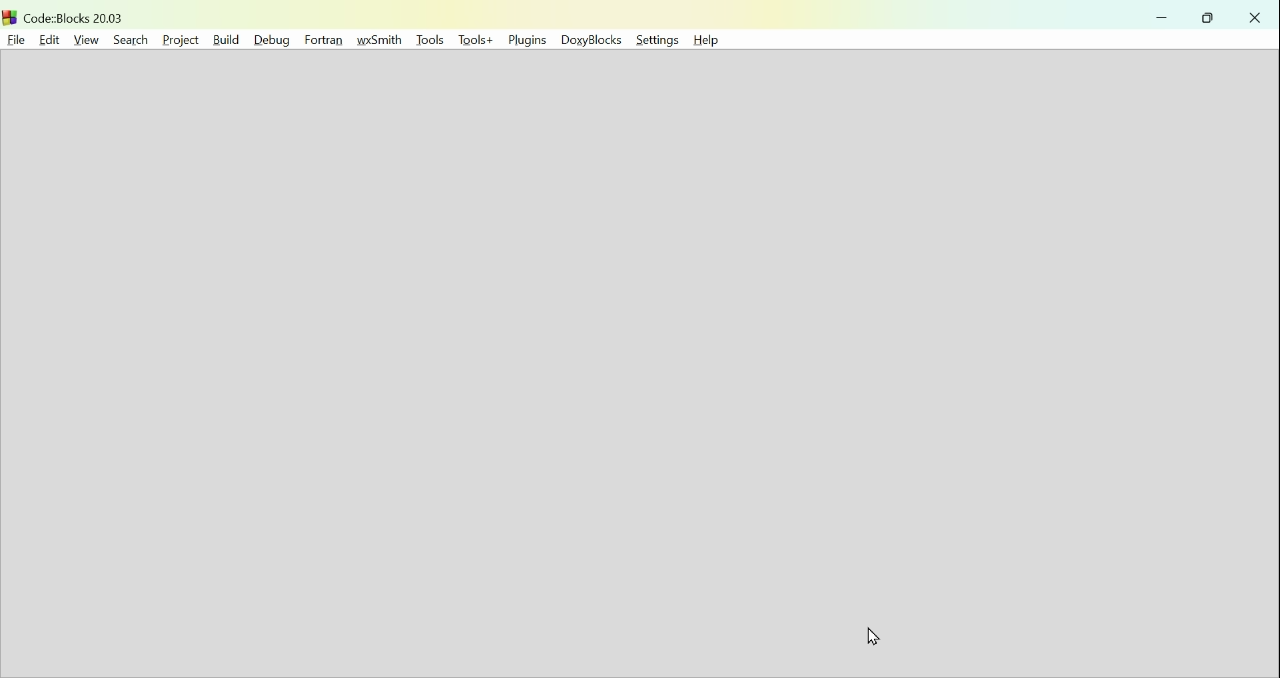 The image size is (1280, 678). Describe the element at coordinates (592, 42) in the screenshot. I see `Doxyblocks` at that location.